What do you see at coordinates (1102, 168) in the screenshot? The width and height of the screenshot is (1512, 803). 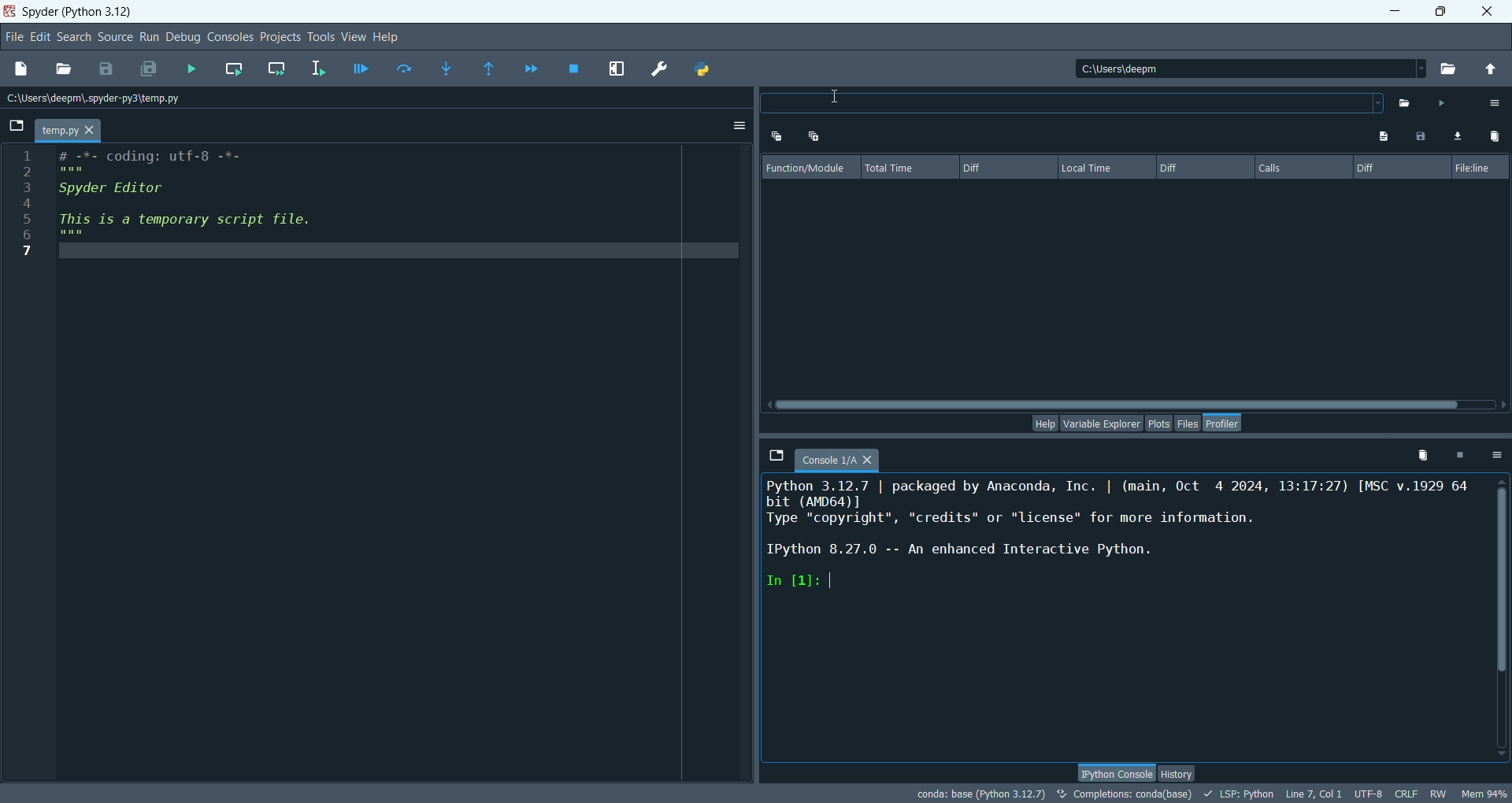 I see `local time` at bounding box center [1102, 168].